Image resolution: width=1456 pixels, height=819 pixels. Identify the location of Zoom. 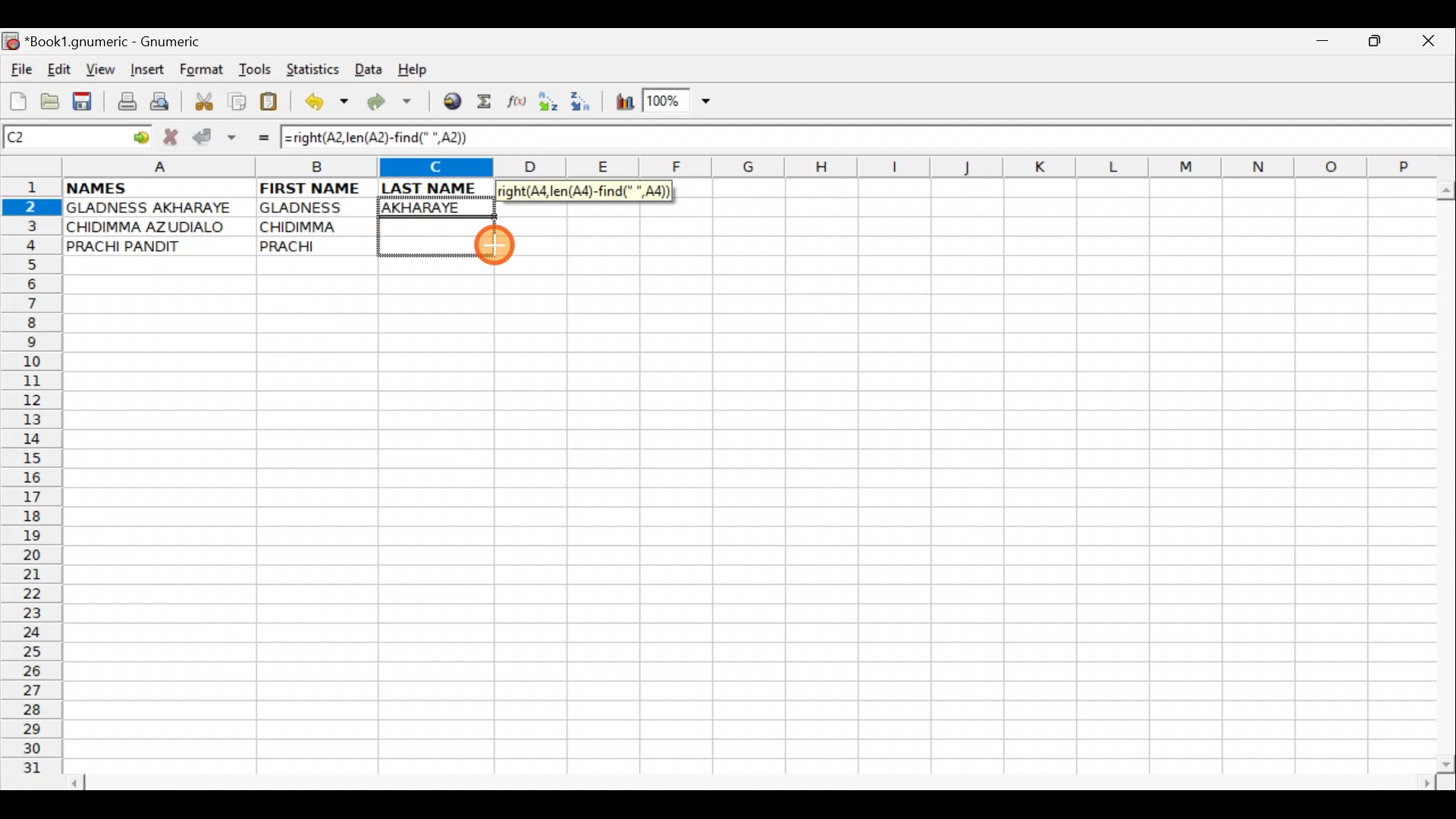
(679, 103).